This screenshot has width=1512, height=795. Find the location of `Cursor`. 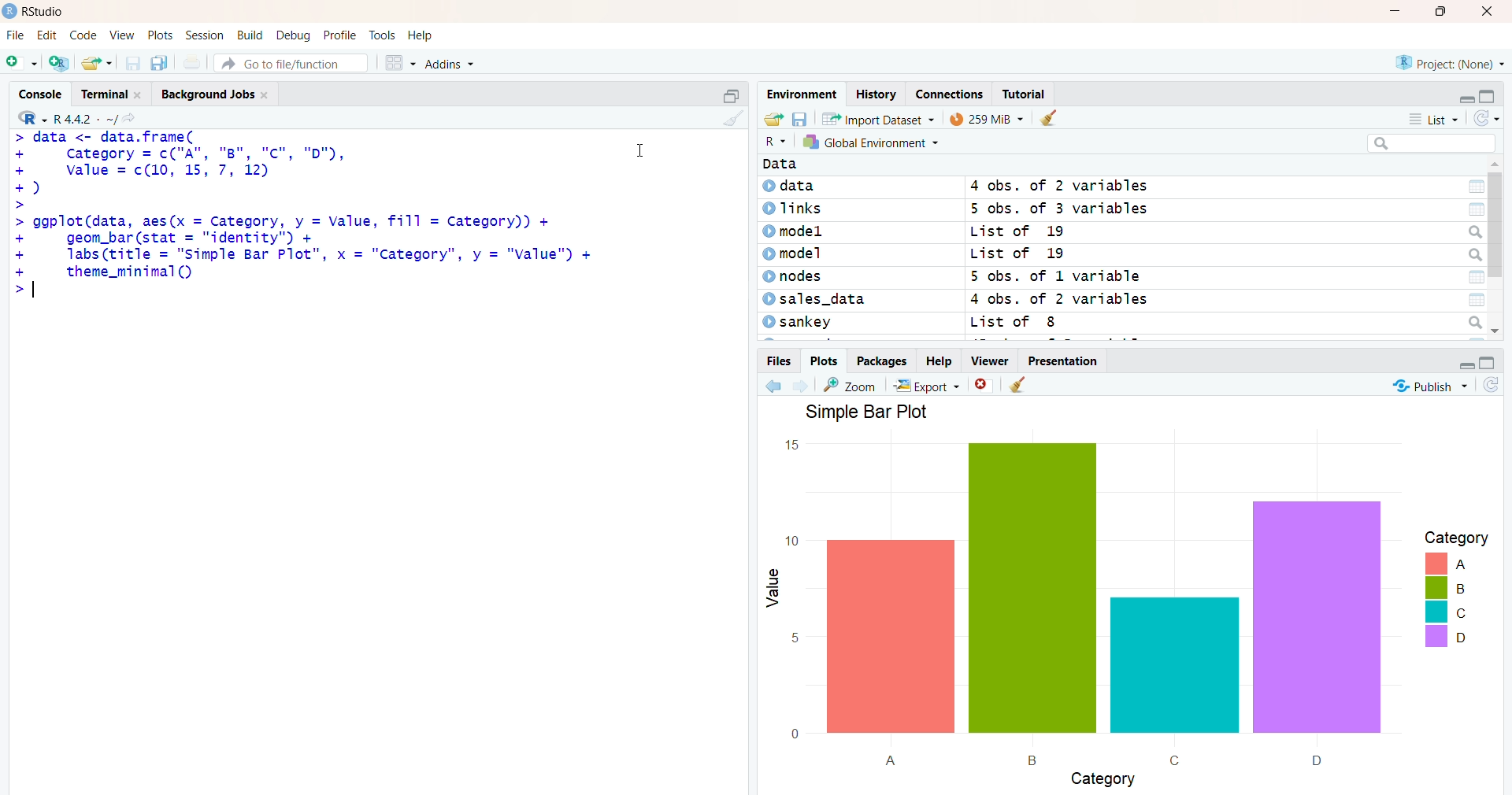

Cursor is located at coordinates (641, 148).